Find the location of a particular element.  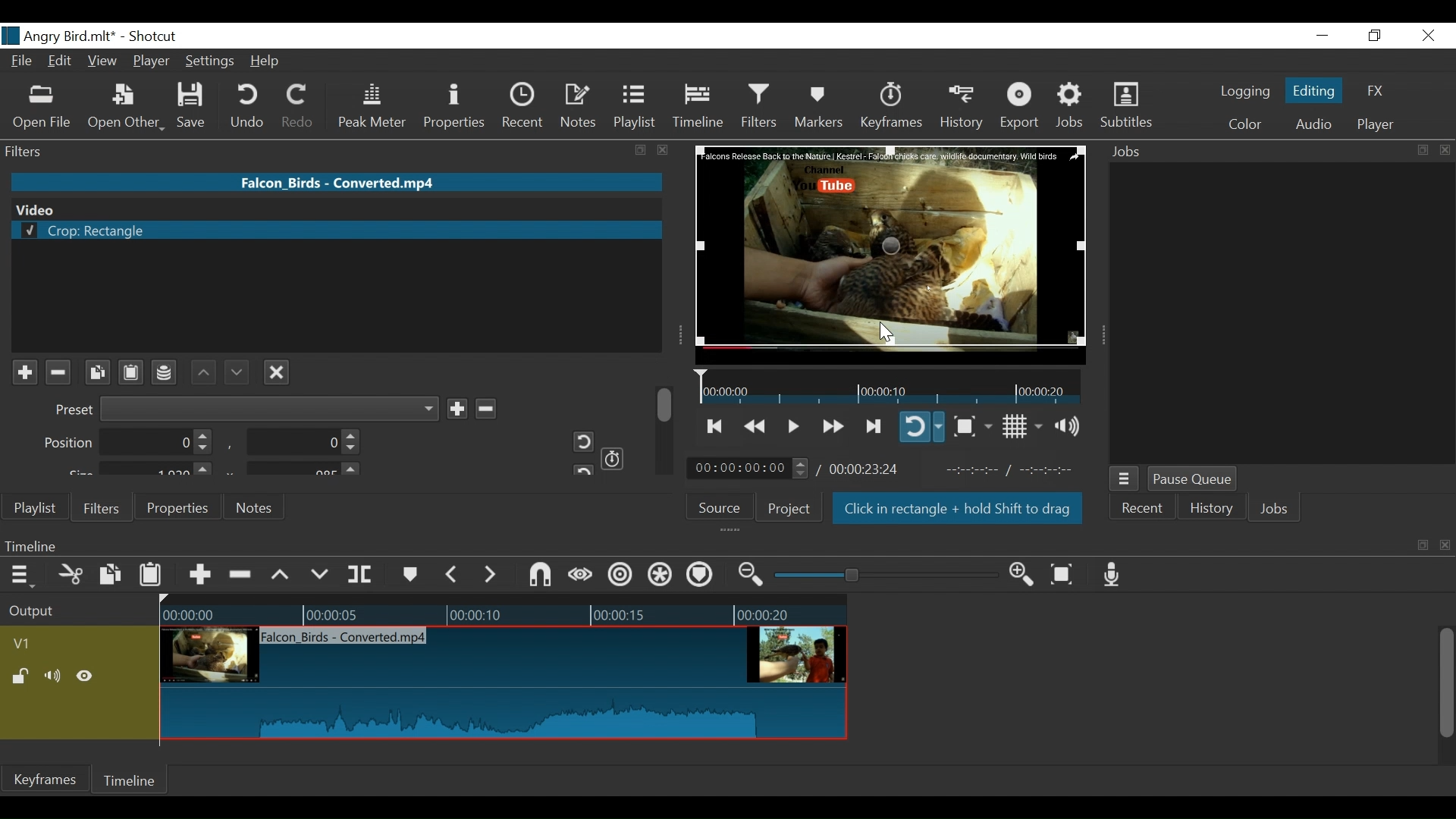

Properties is located at coordinates (175, 507).